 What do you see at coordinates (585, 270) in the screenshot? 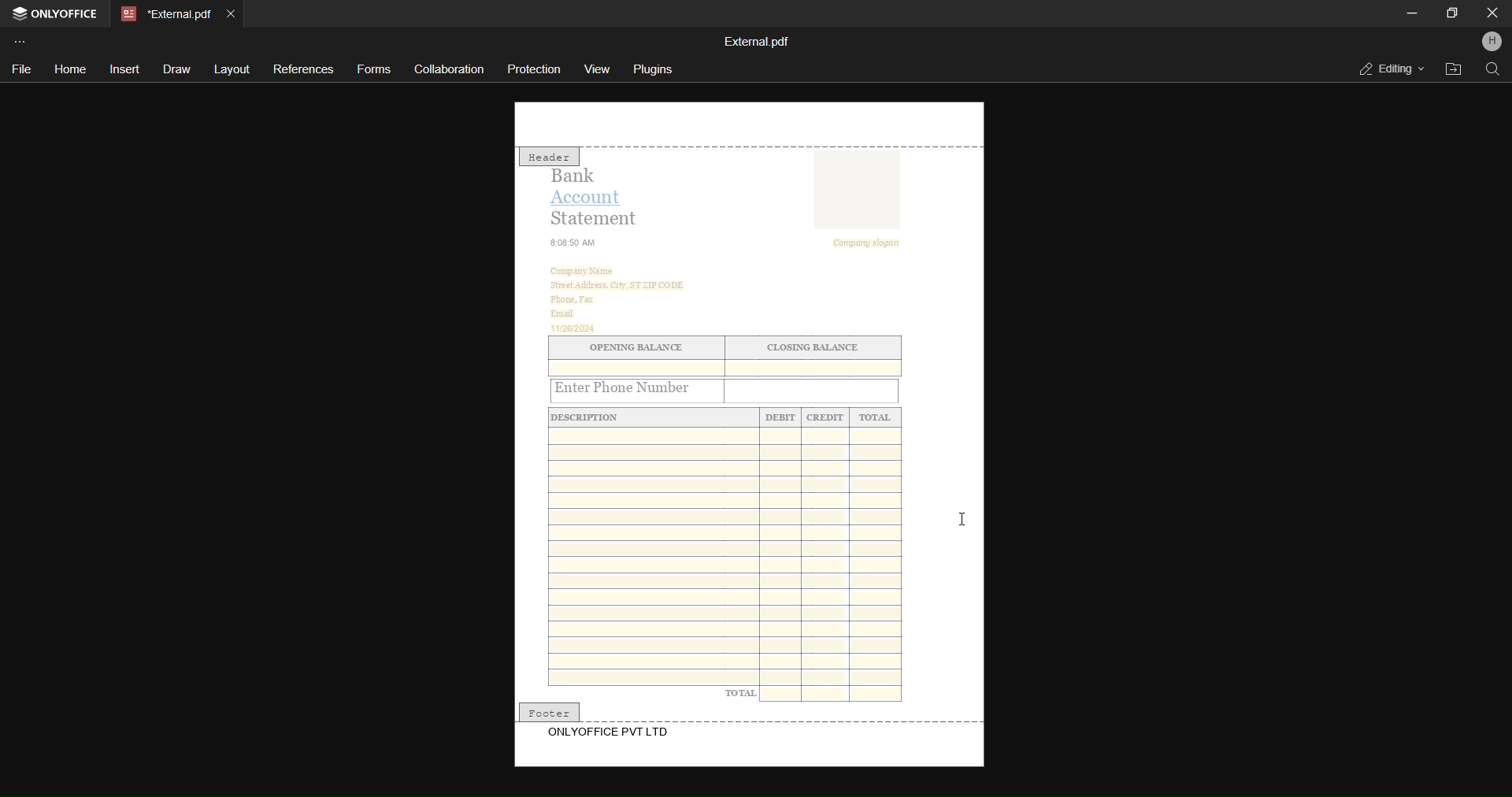
I see `‘Company Name` at bounding box center [585, 270].